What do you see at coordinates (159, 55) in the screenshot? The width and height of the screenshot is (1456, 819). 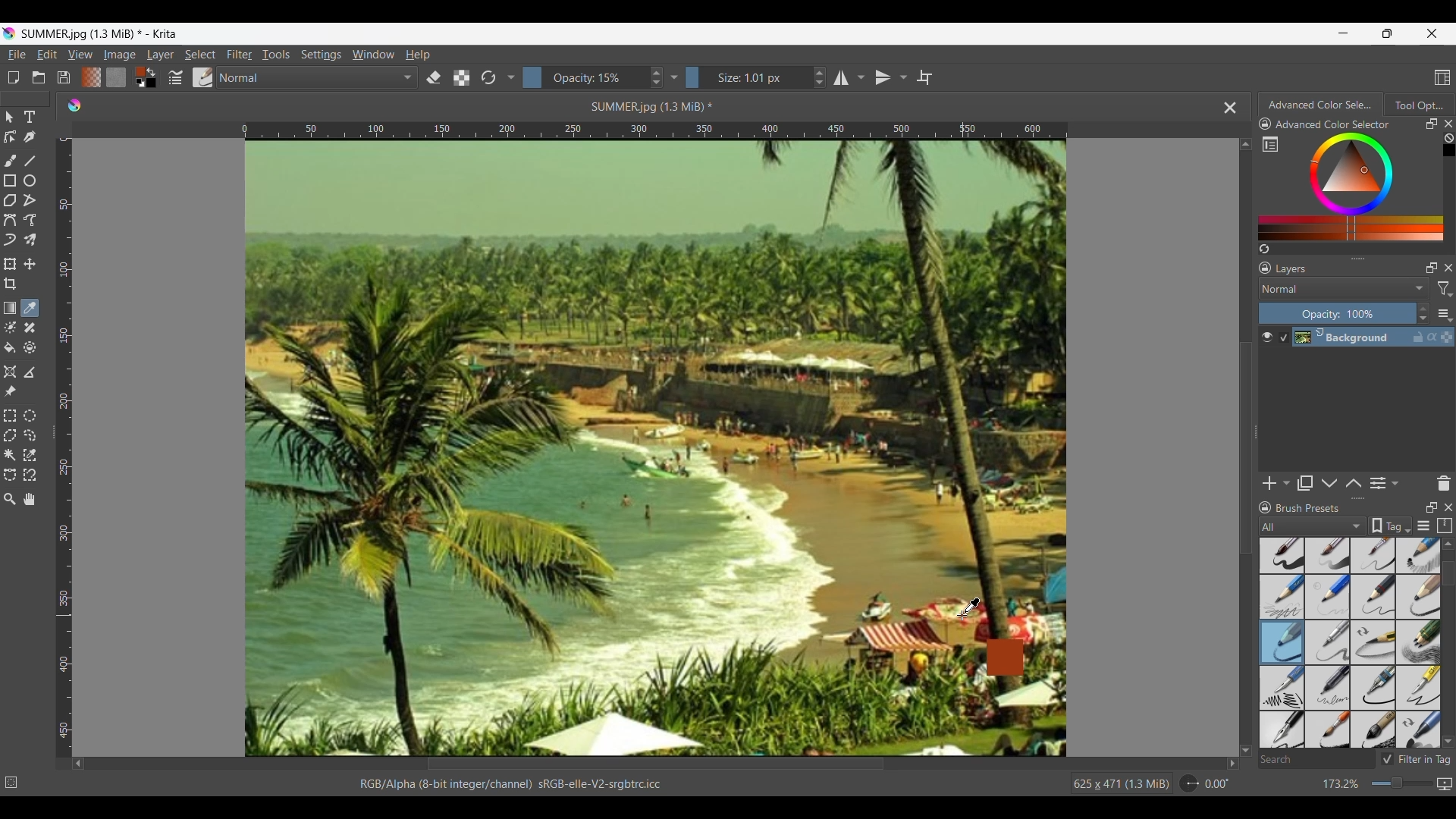 I see `Layer menu` at bounding box center [159, 55].